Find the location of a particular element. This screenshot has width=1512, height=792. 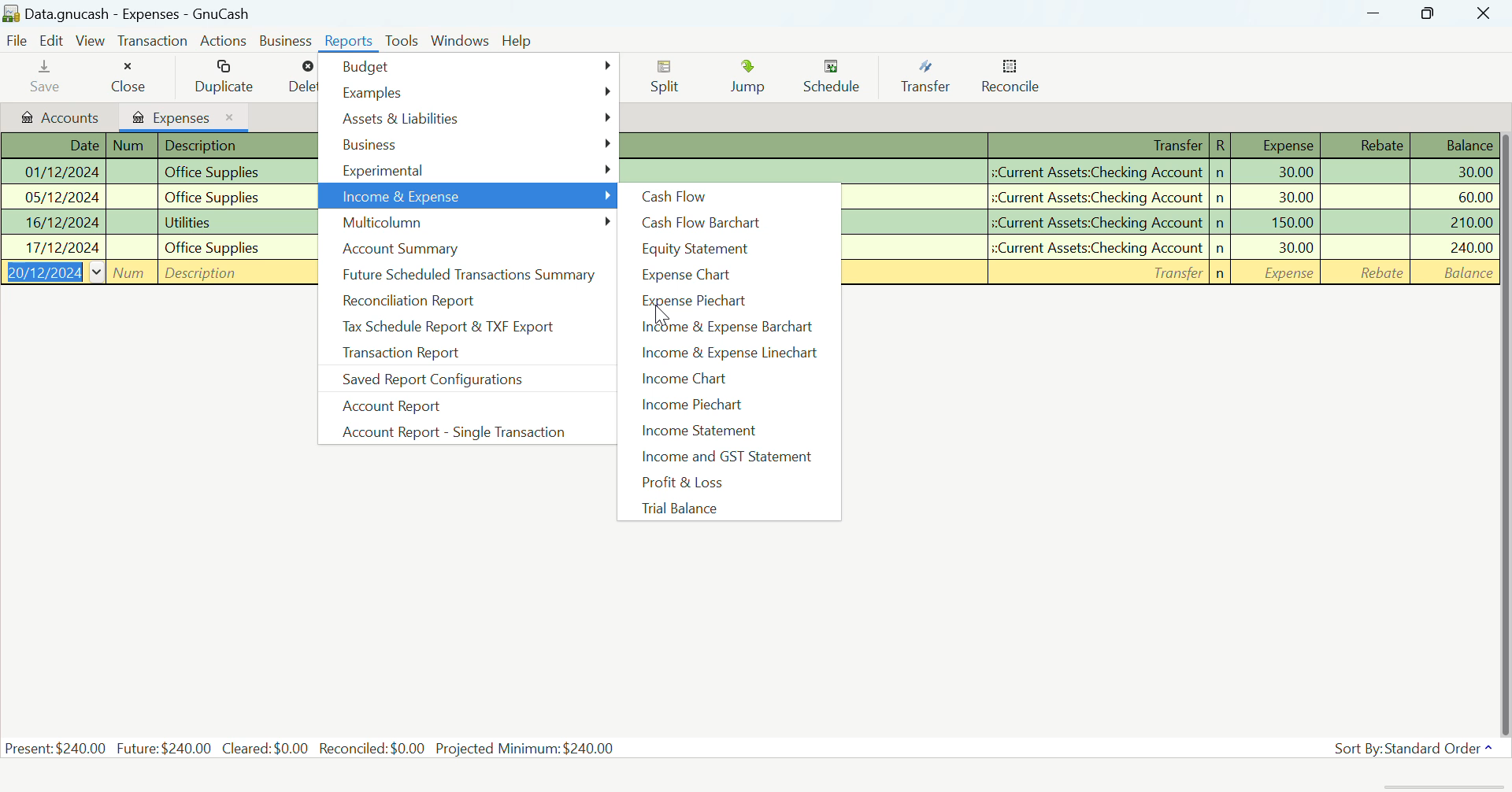

Reports Menu Open is located at coordinates (350, 43).